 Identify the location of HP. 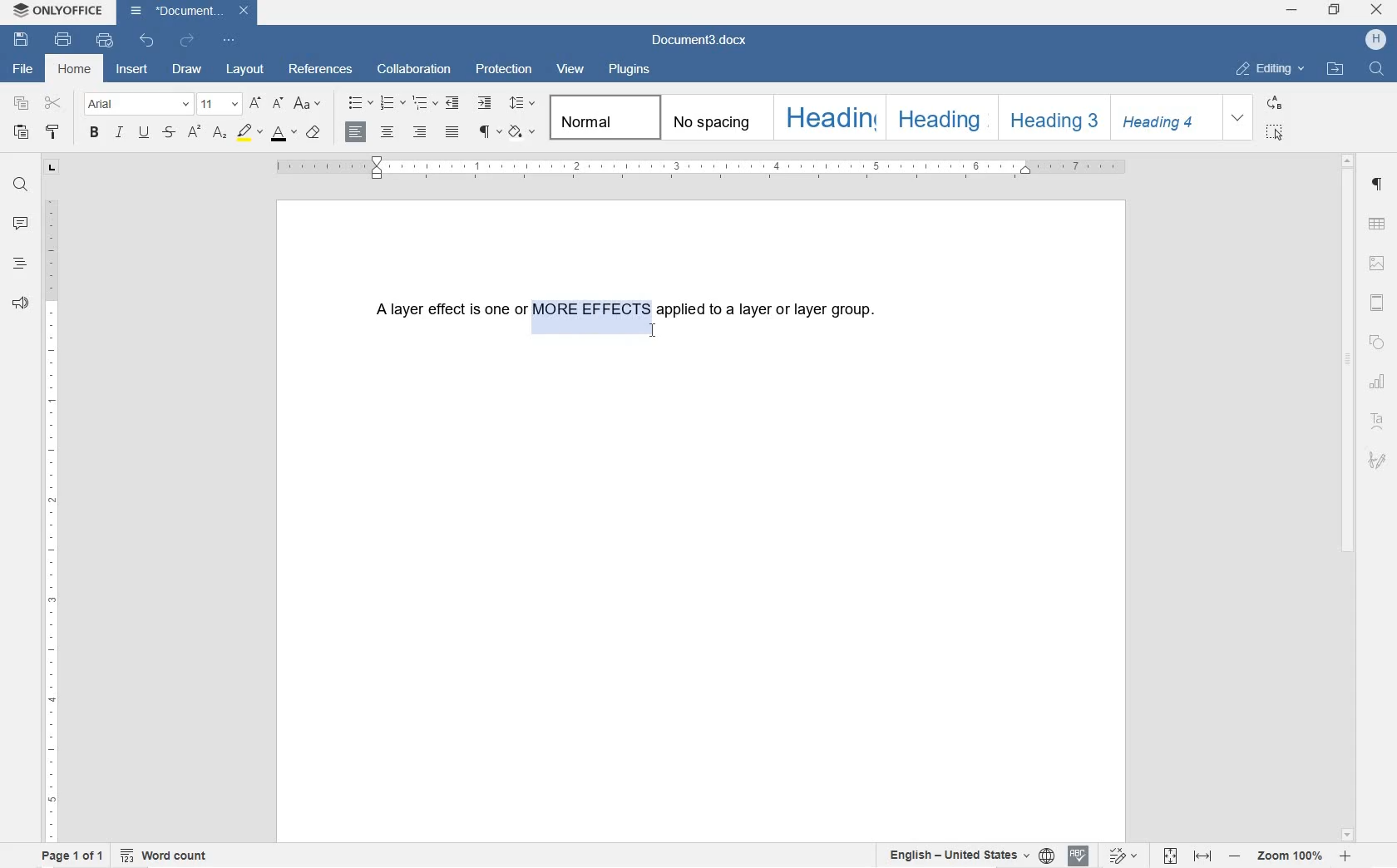
(1378, 40).